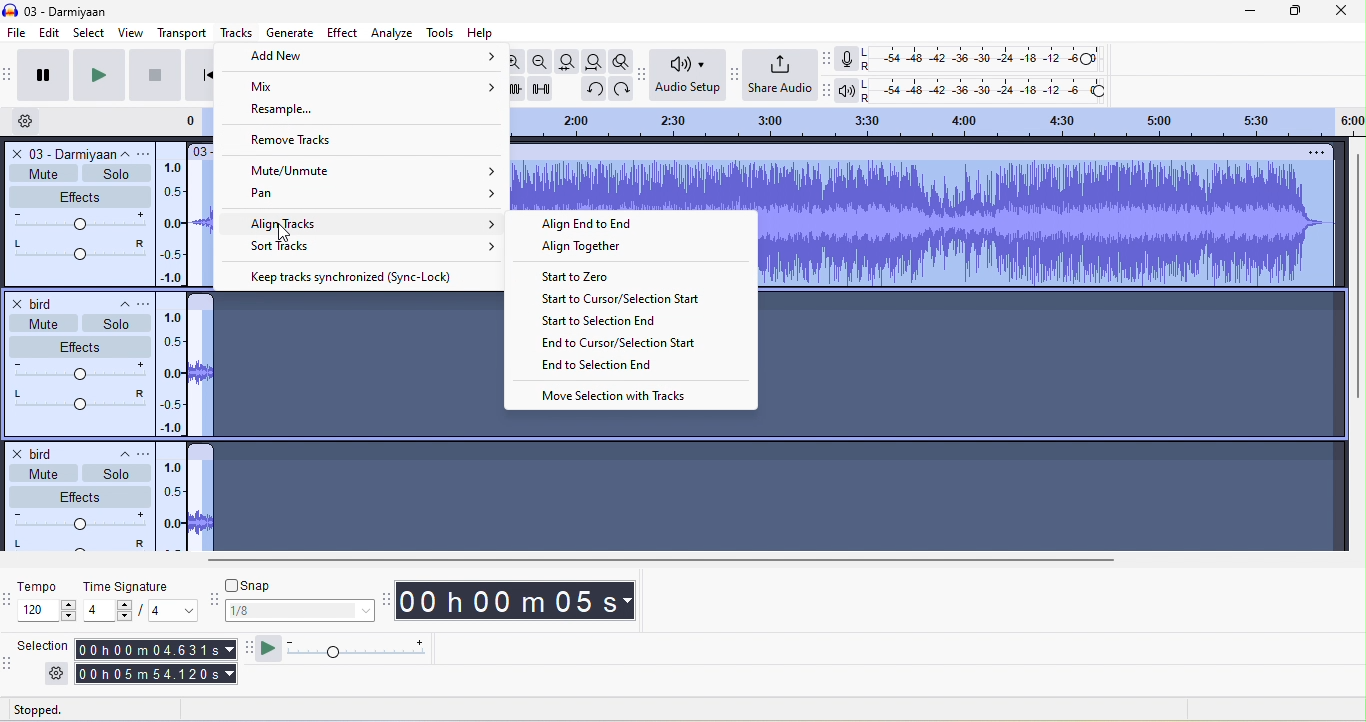  Describe the element at coordinates (125, 32) in the screenshot. I see `view` at that location.